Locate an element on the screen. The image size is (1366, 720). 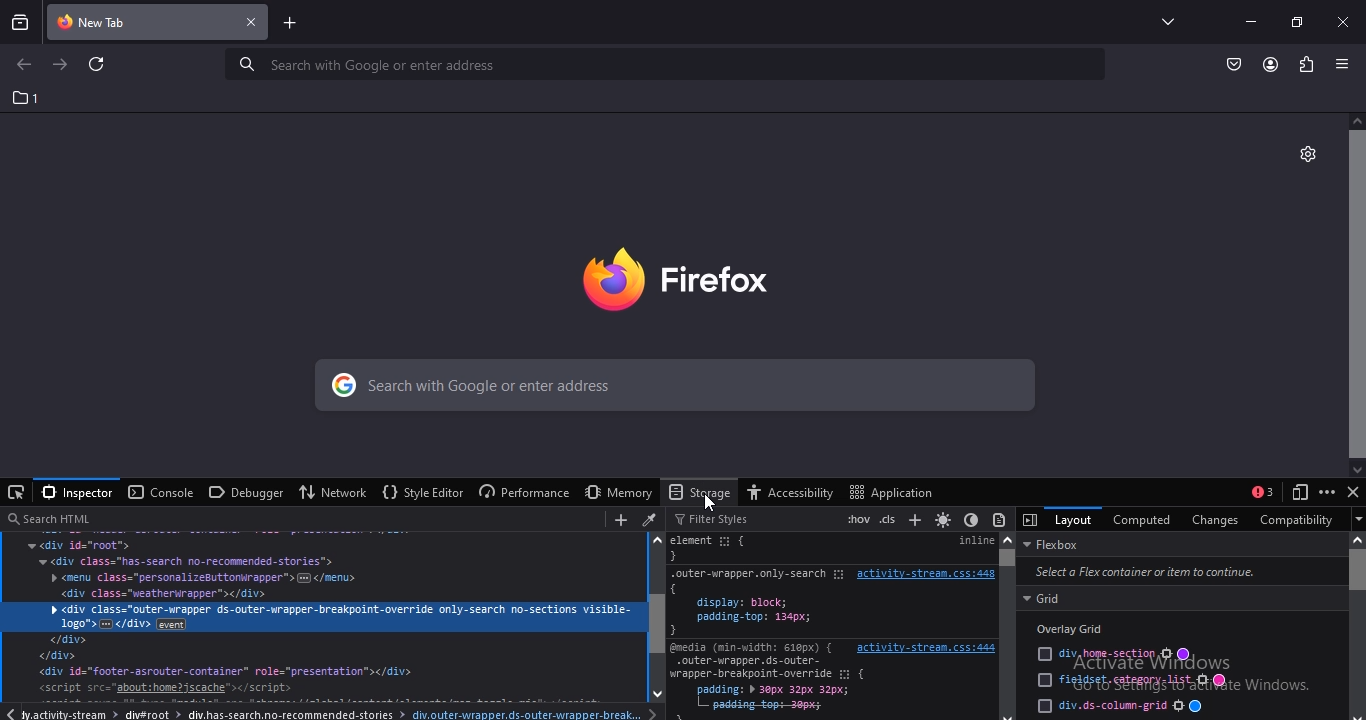
close is located at coordinates (1354, 495).